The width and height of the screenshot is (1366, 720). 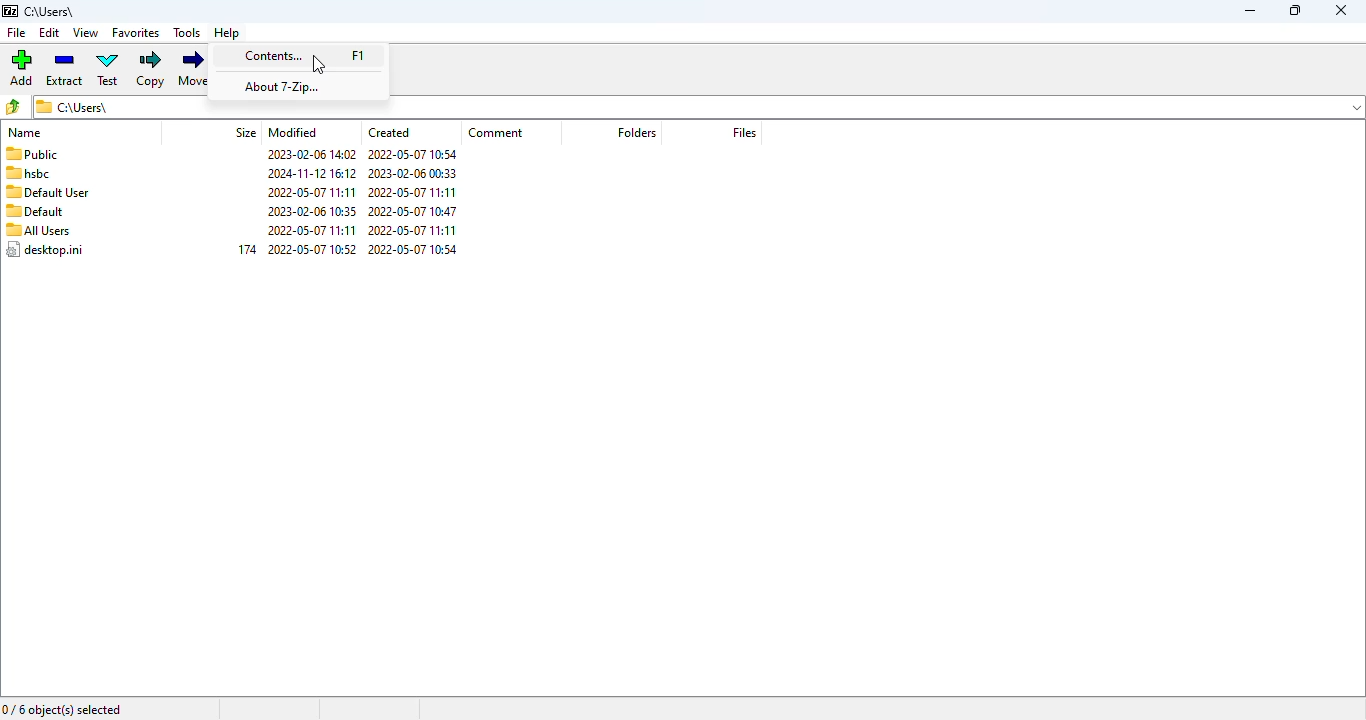 What do you see at coordinates (247, 131) in the screenshot?
I see `size` at bounding box center [247, 131].